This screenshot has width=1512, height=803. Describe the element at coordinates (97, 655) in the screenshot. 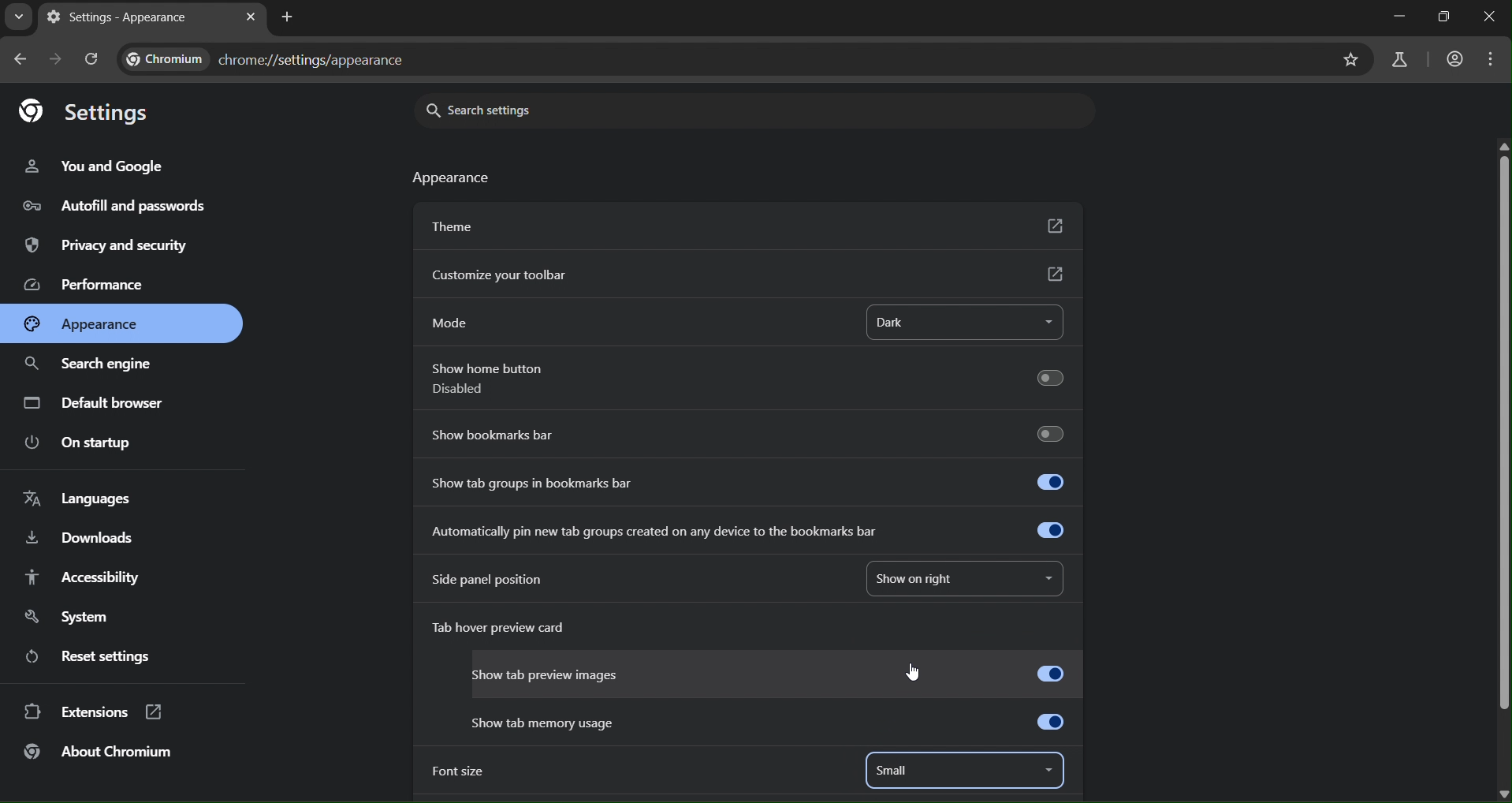

I see `reset settings` at that location.